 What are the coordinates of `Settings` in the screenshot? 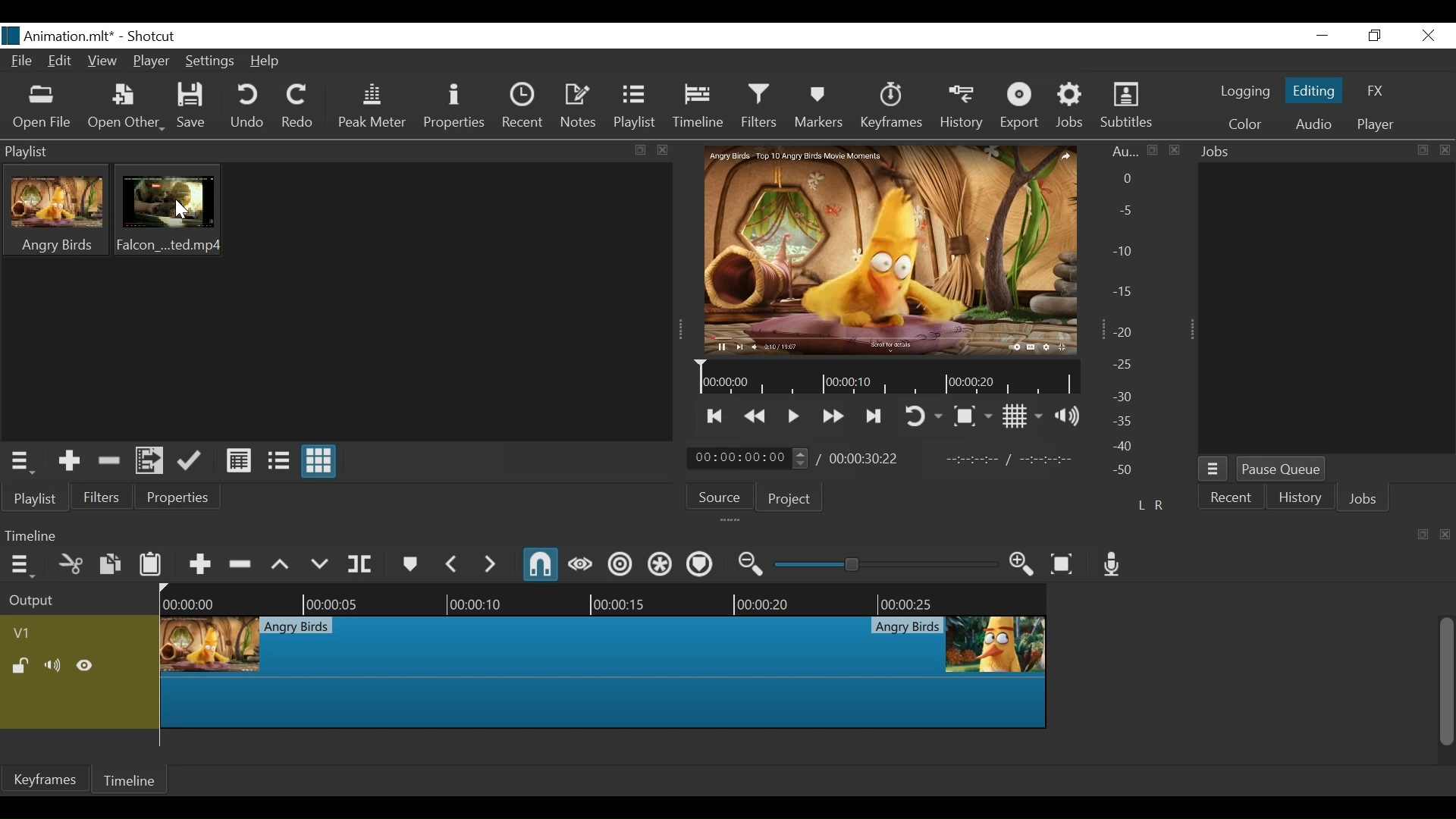 It's located at (209, 60).